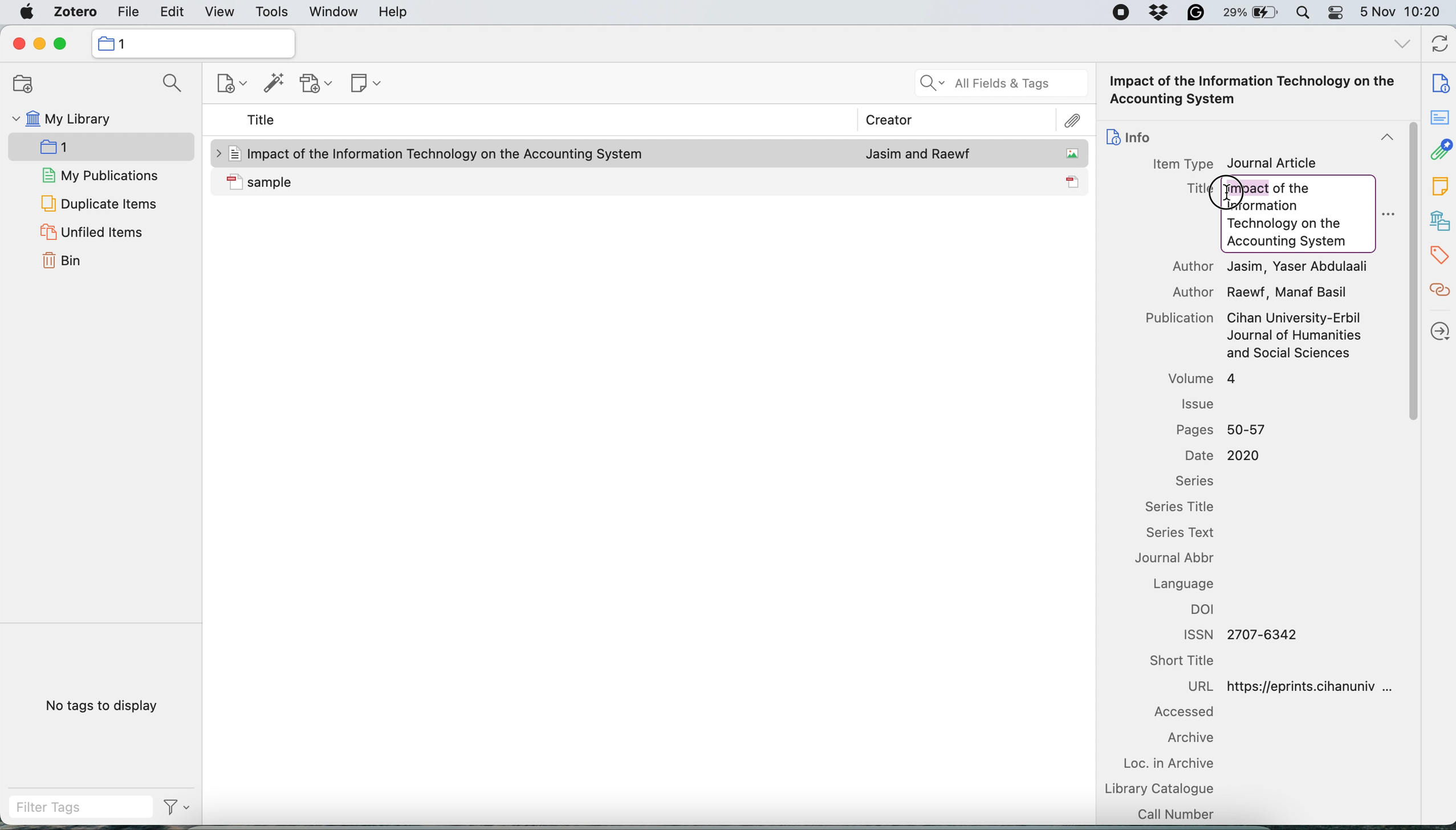  What do you see at coordinates (174, 83) in the screenshot?
I see `search` at bounding box center [174, 83].